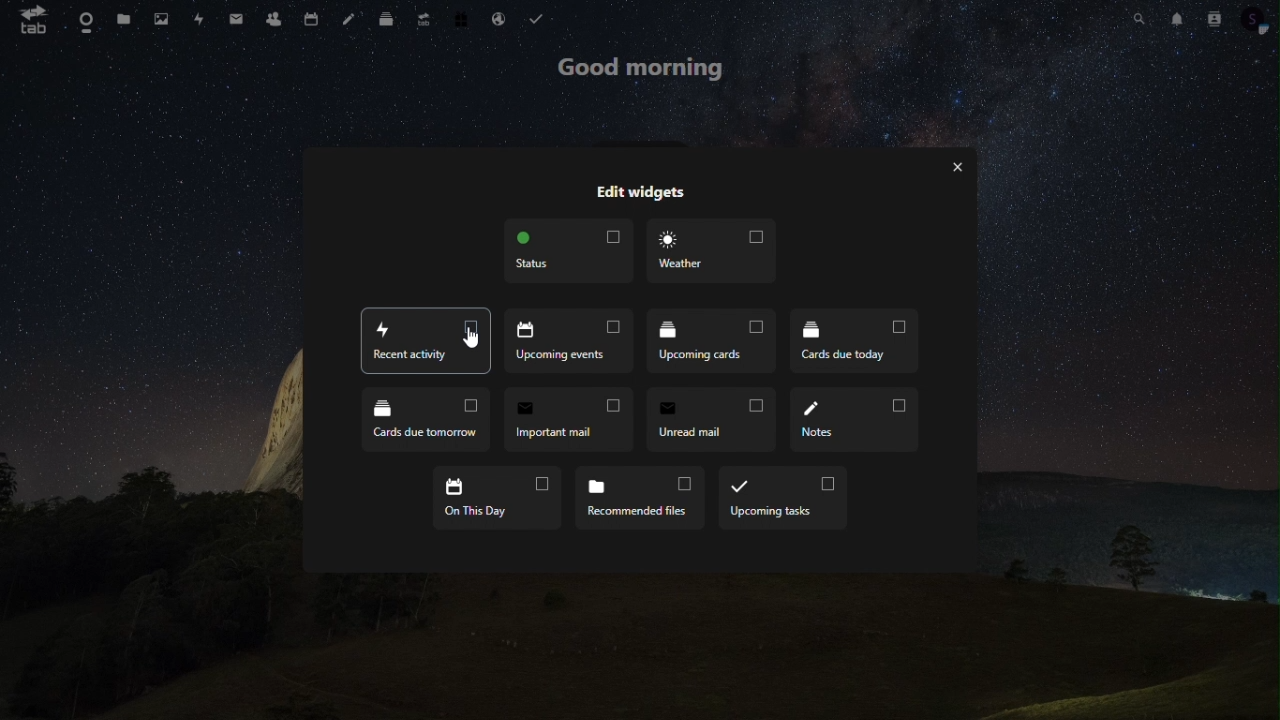  I want to click on status, so click(571, 254).